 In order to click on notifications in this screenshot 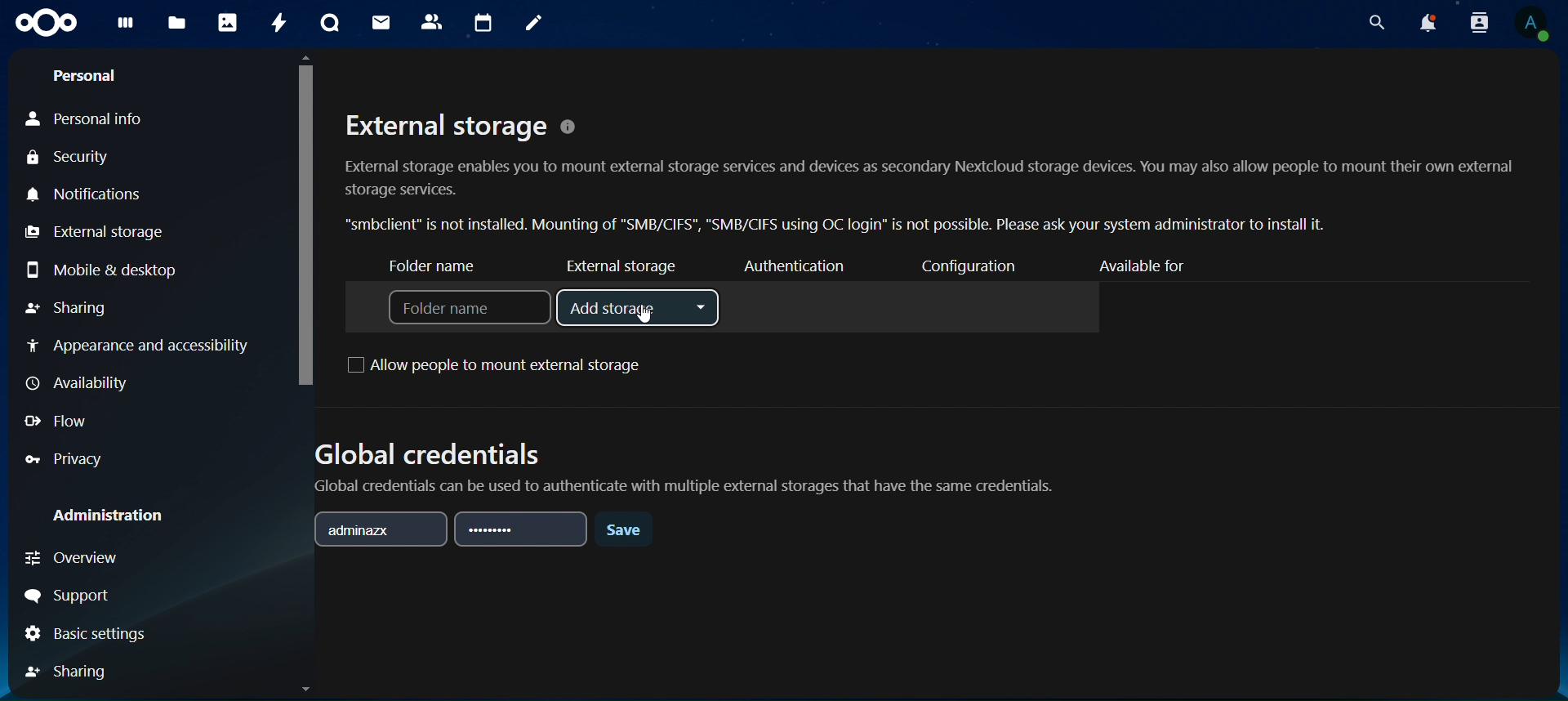, I will do `click(1429, 22)`.